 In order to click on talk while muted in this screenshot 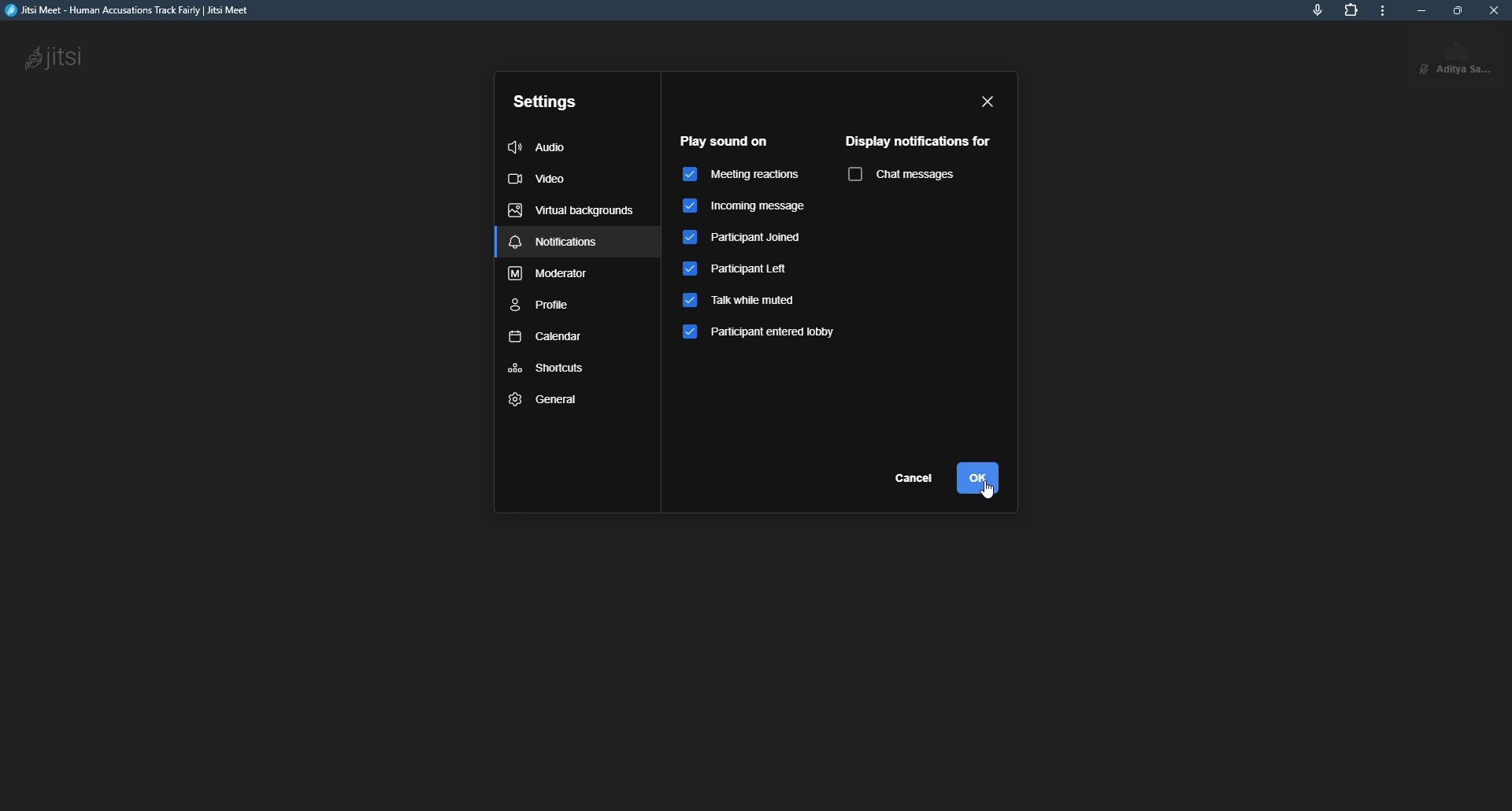, I will do `click(740, 299)`.